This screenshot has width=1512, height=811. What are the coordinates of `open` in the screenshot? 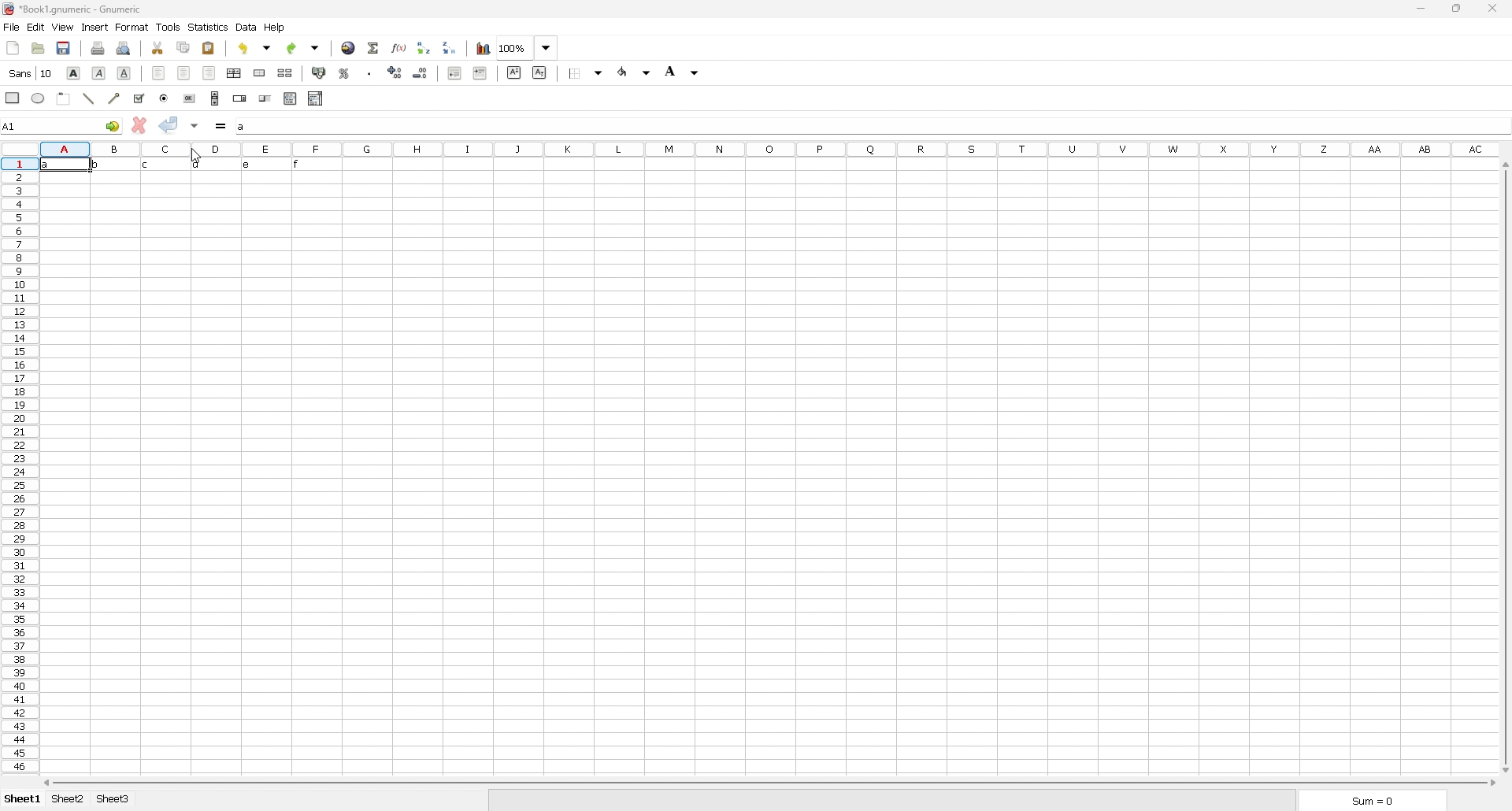 It's located at (38, 47).